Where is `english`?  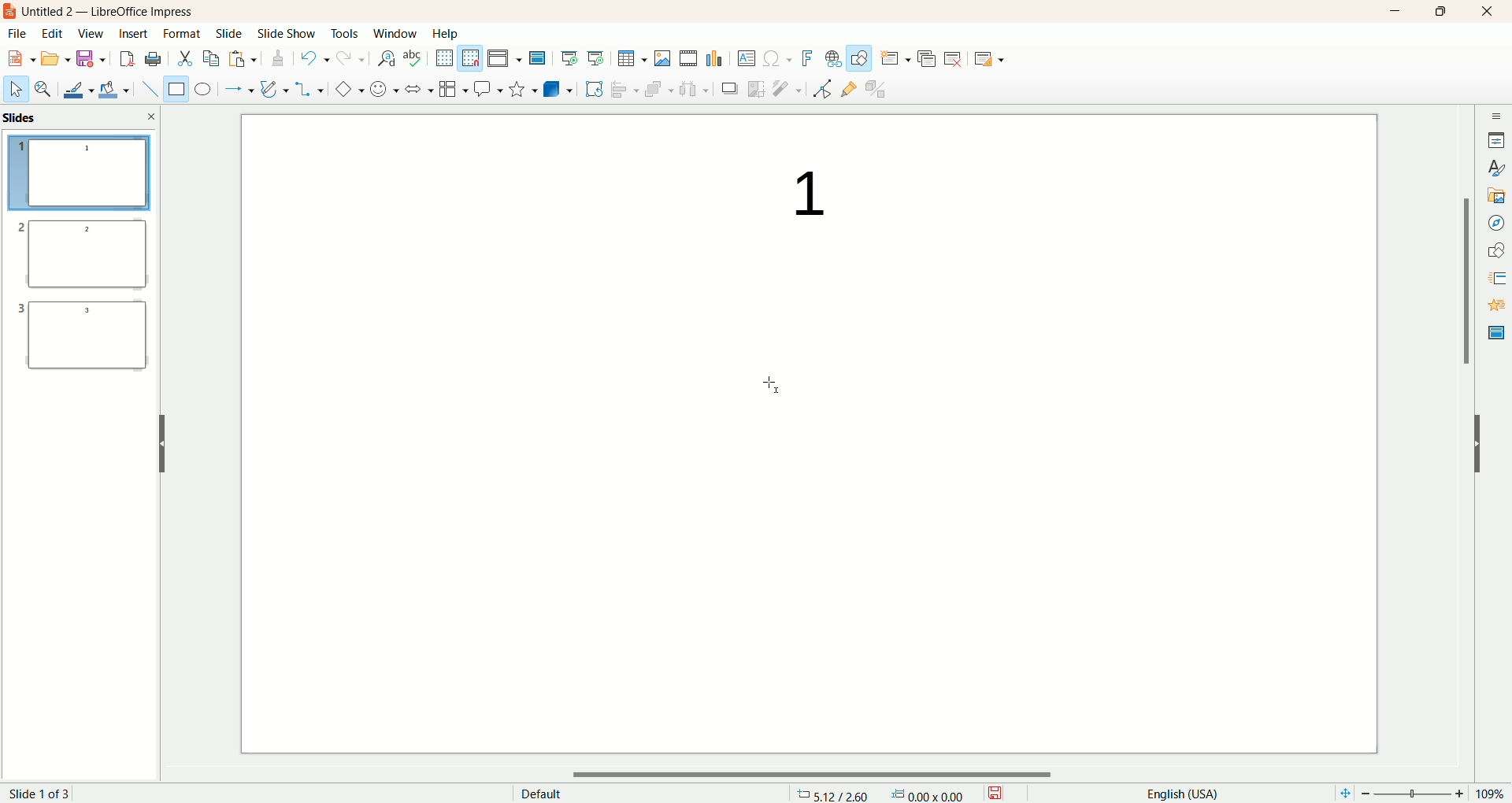
english is located at coordinates (1180, 793).